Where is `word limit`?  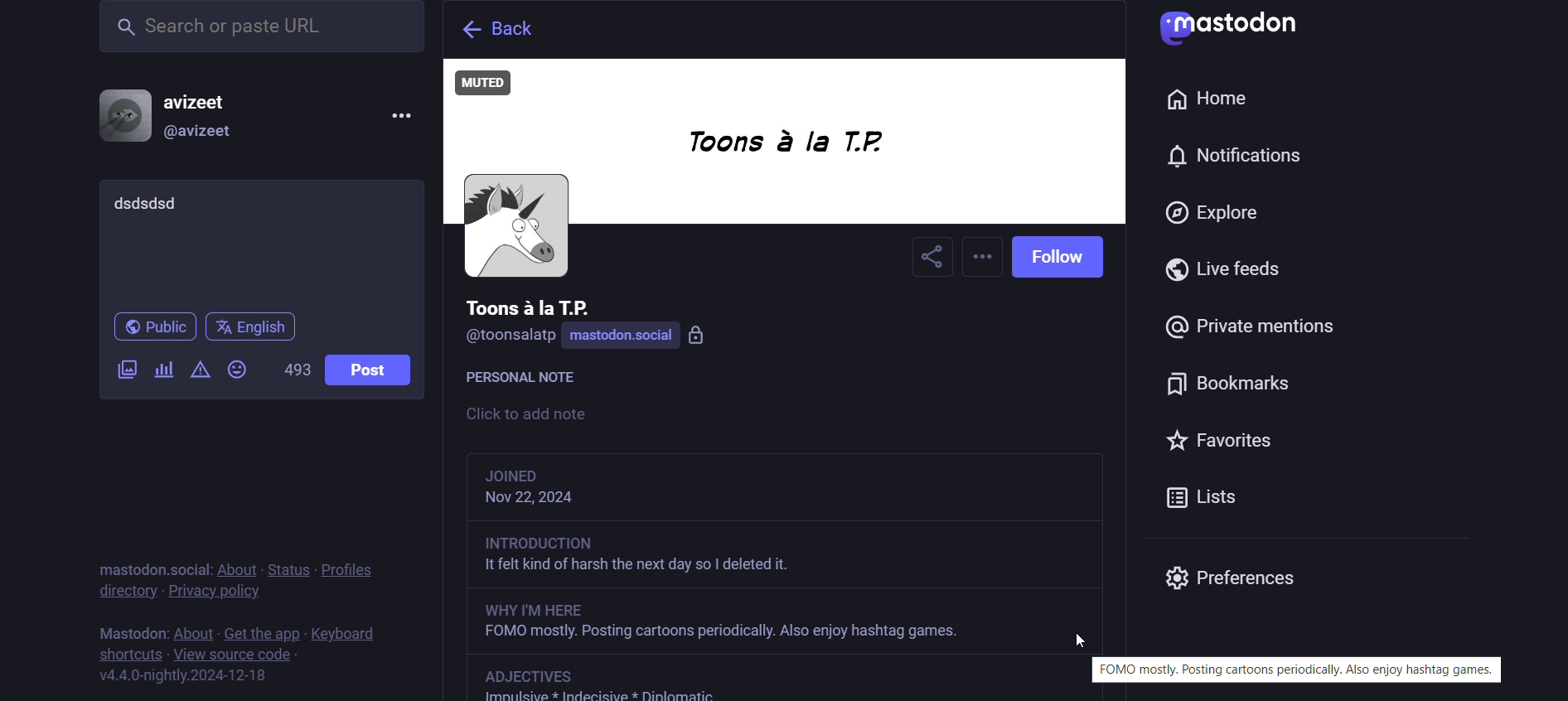 word limit is located at coordinates (295, 375).